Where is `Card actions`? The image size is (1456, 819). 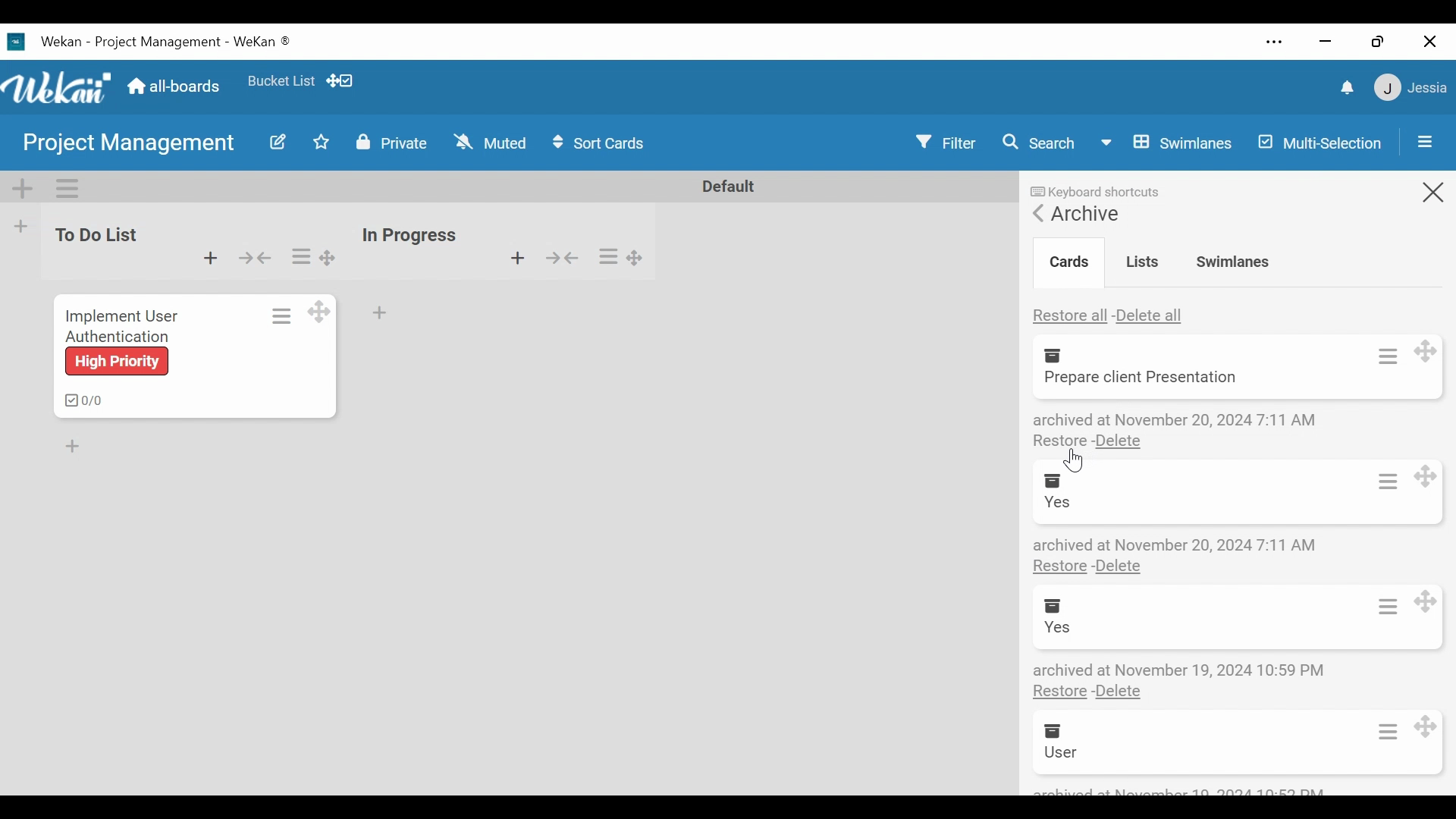 Card actions is located at coordinates (1384, 605).